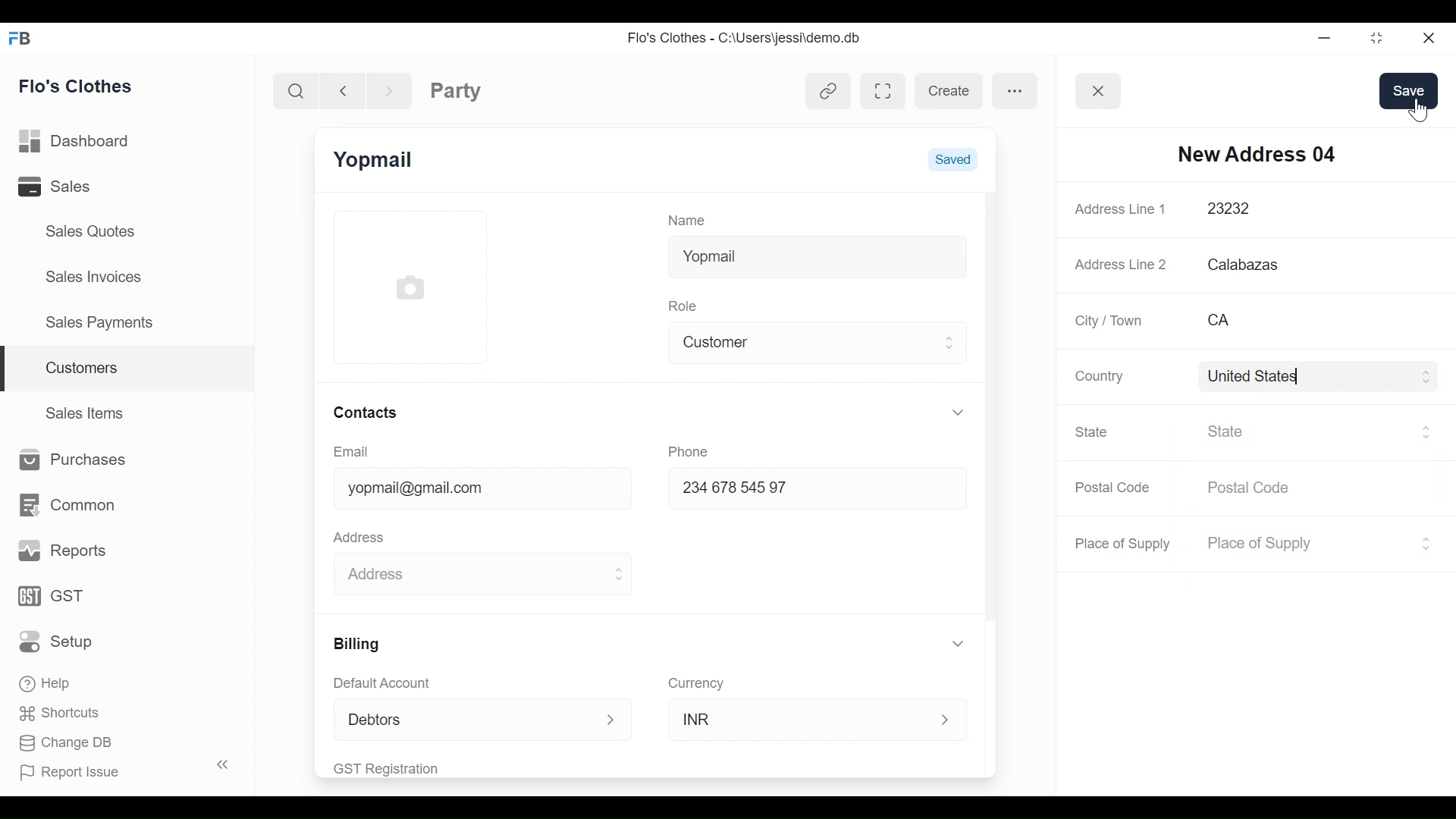 The image size is (1456, 819). What do you see at coordinates (952, 158) in the screenshot?
I see `Saved` at bounding box center [952, 158].